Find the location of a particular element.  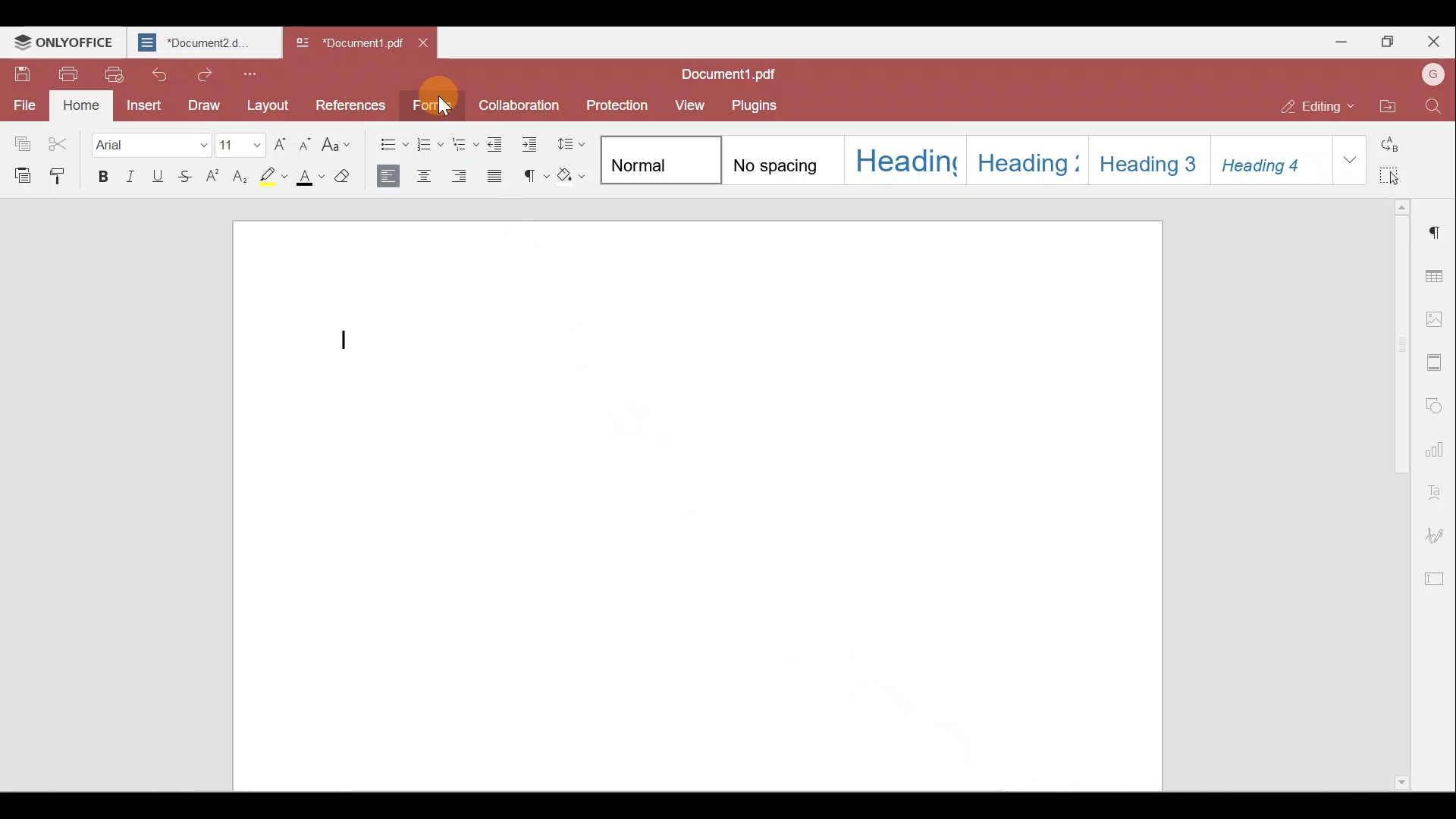

Numbering is located at coordinates (431, 145).